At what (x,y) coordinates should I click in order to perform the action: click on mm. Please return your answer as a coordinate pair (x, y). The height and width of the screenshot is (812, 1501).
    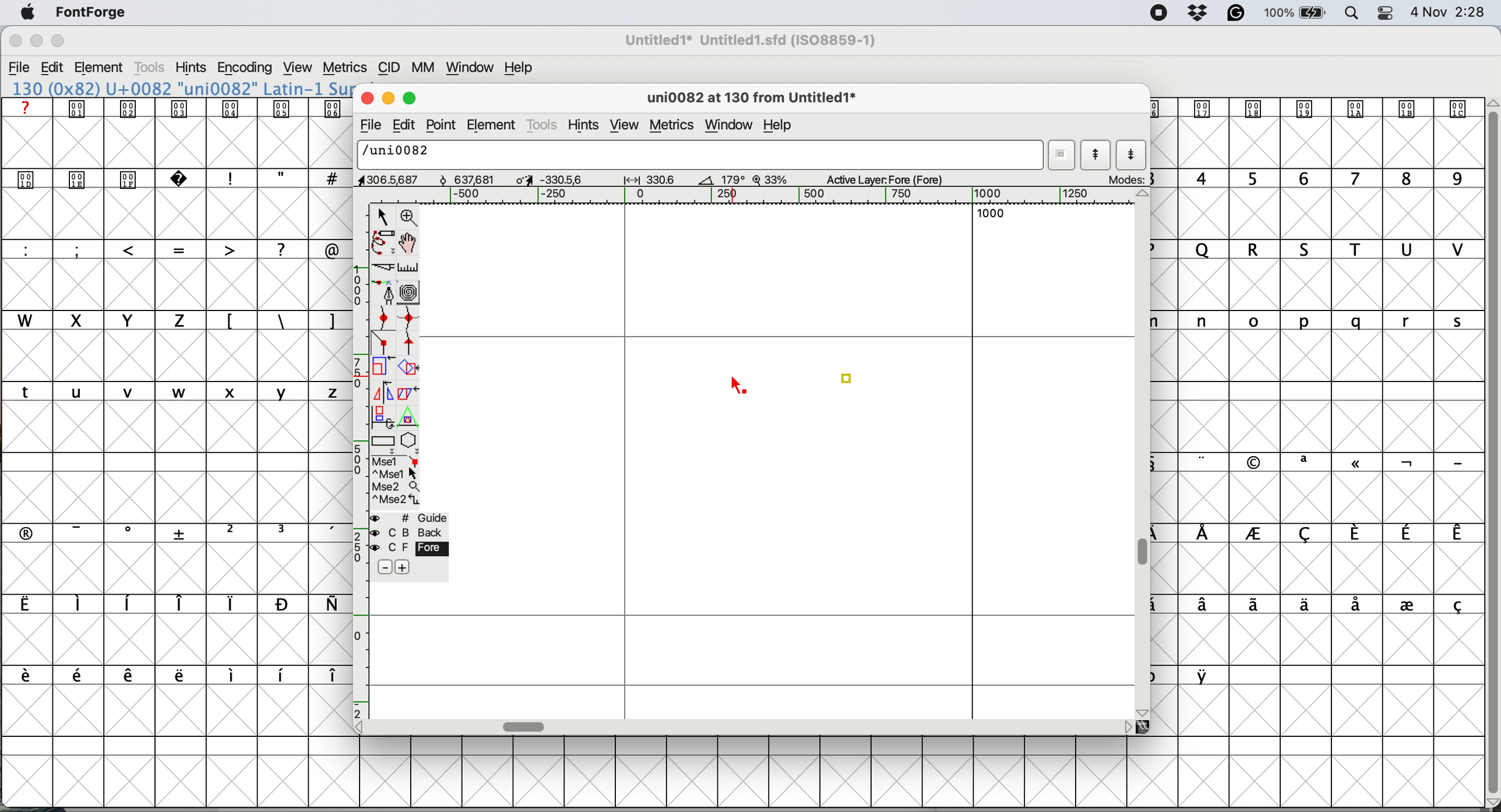
    Looking at the image, I should click on (427, 68).